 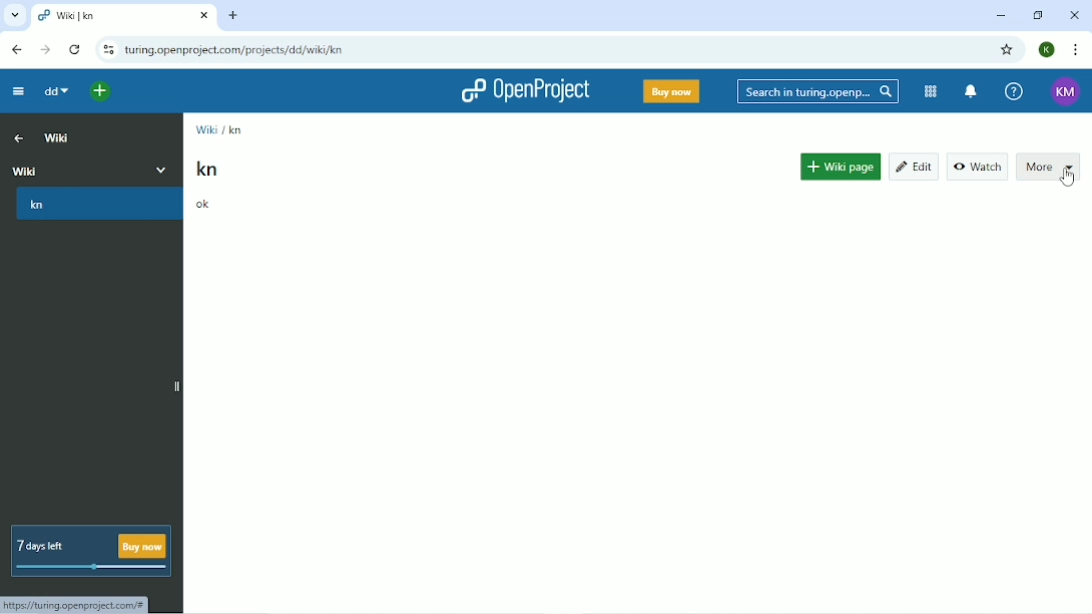 What do you see at coordinates (124, 18) in the screenshot?
I see `Current tab` at bounding box center [124, 18].